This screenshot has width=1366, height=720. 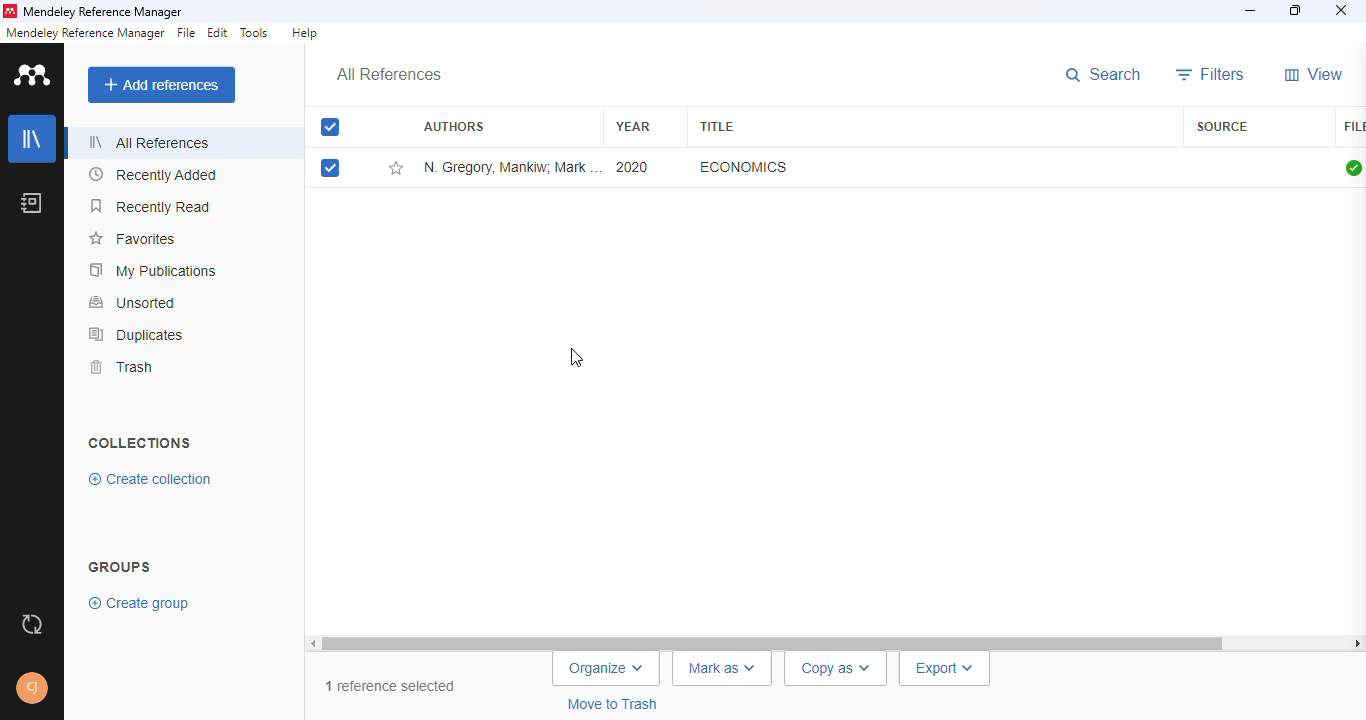 What do you see at coordinates (1210, 75) in the screenshot?
I see `filters` at bounding box center [1210, 75].